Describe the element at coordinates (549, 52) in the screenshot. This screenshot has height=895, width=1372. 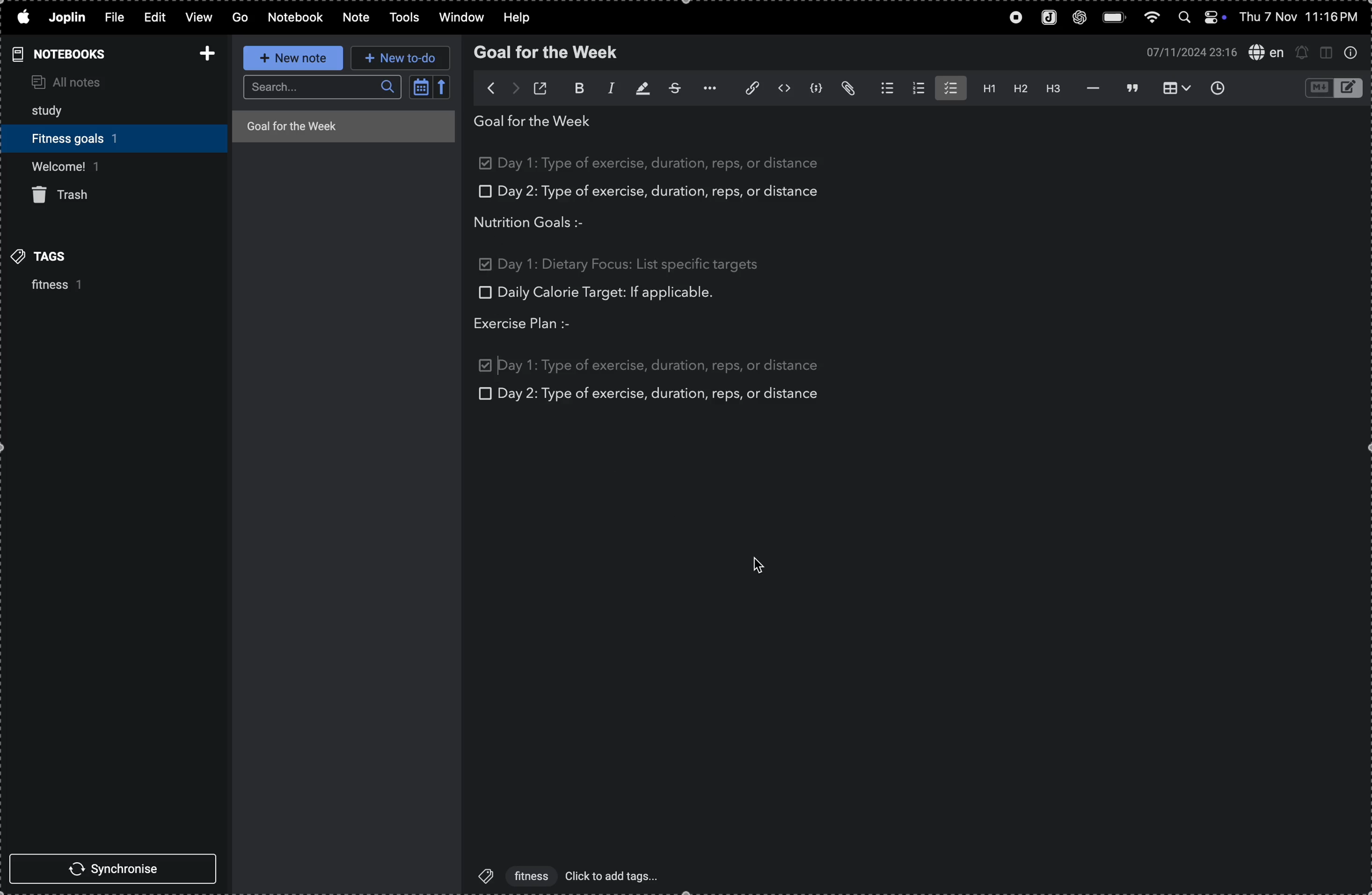
I see `goal for the week` at that location.